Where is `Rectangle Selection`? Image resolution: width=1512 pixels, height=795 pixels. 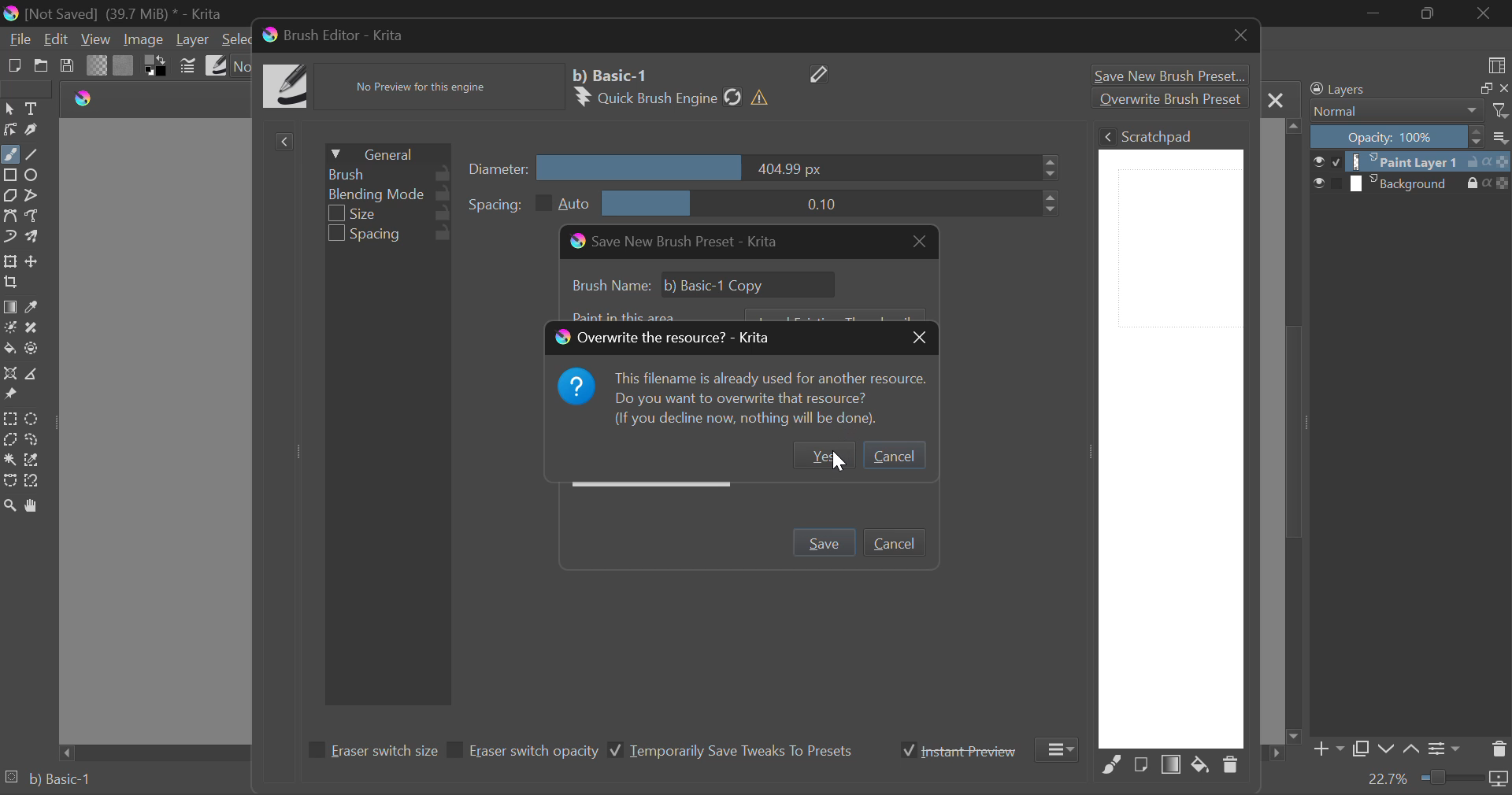 Rectangle Selection is located at coordinates (10, 418).